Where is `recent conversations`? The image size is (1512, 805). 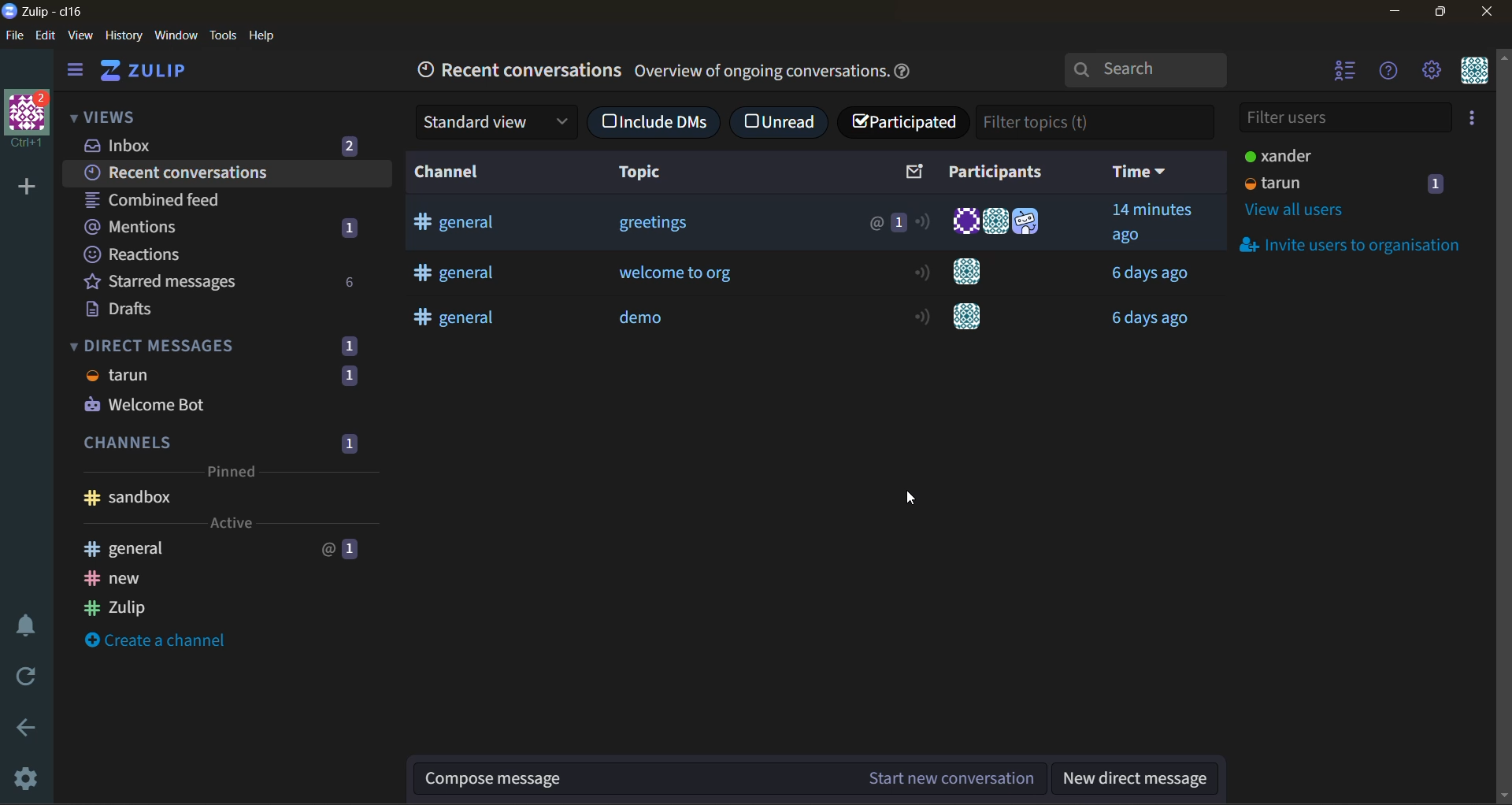
recent conversations is located at coordinates (228, 174).